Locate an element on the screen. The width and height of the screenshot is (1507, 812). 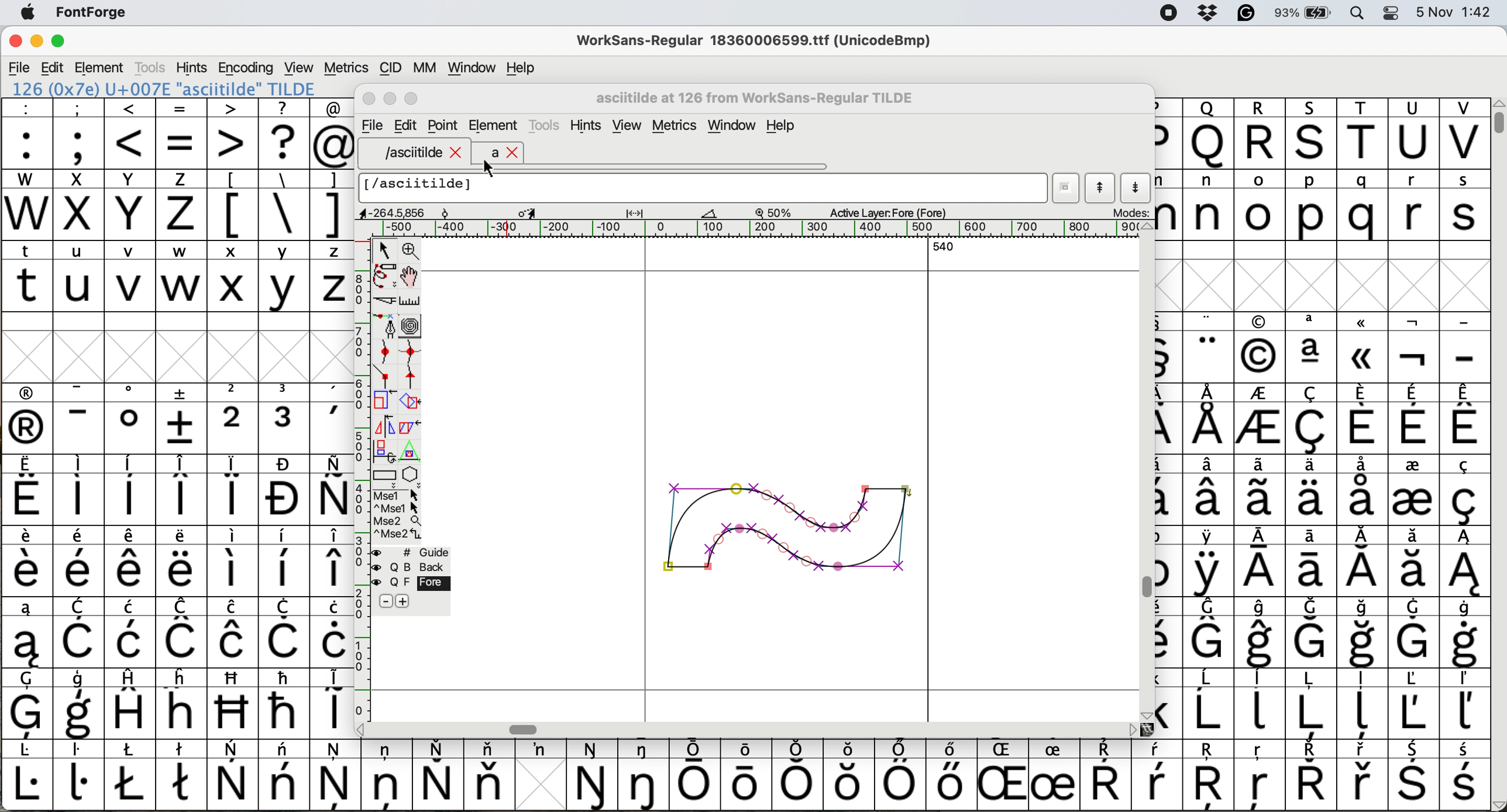
? is located at coordinates (284, 133).